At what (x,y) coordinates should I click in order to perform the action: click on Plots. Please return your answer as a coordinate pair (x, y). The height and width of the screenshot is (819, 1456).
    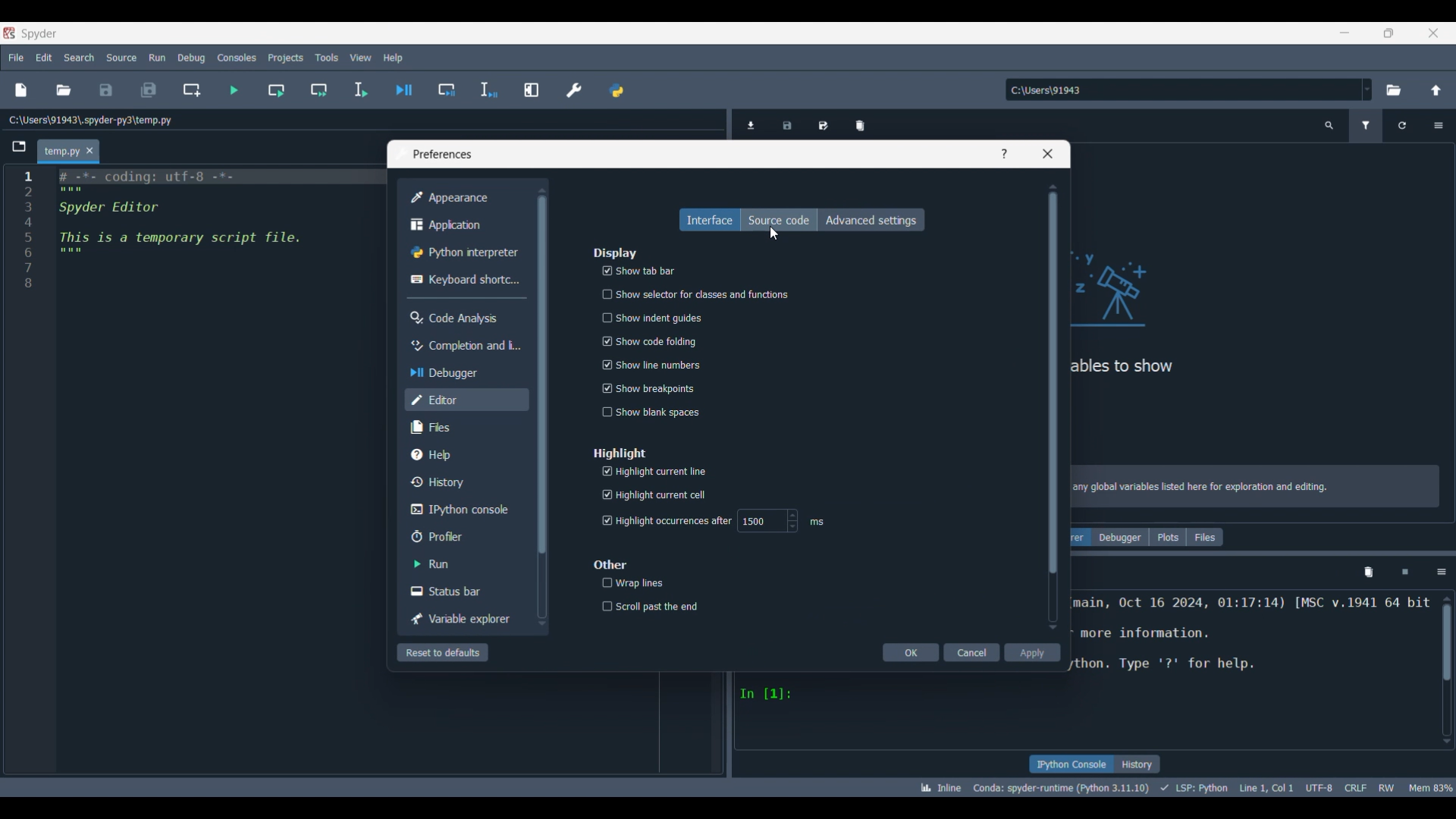
    Looking at the image, I should click on (1168, 537).